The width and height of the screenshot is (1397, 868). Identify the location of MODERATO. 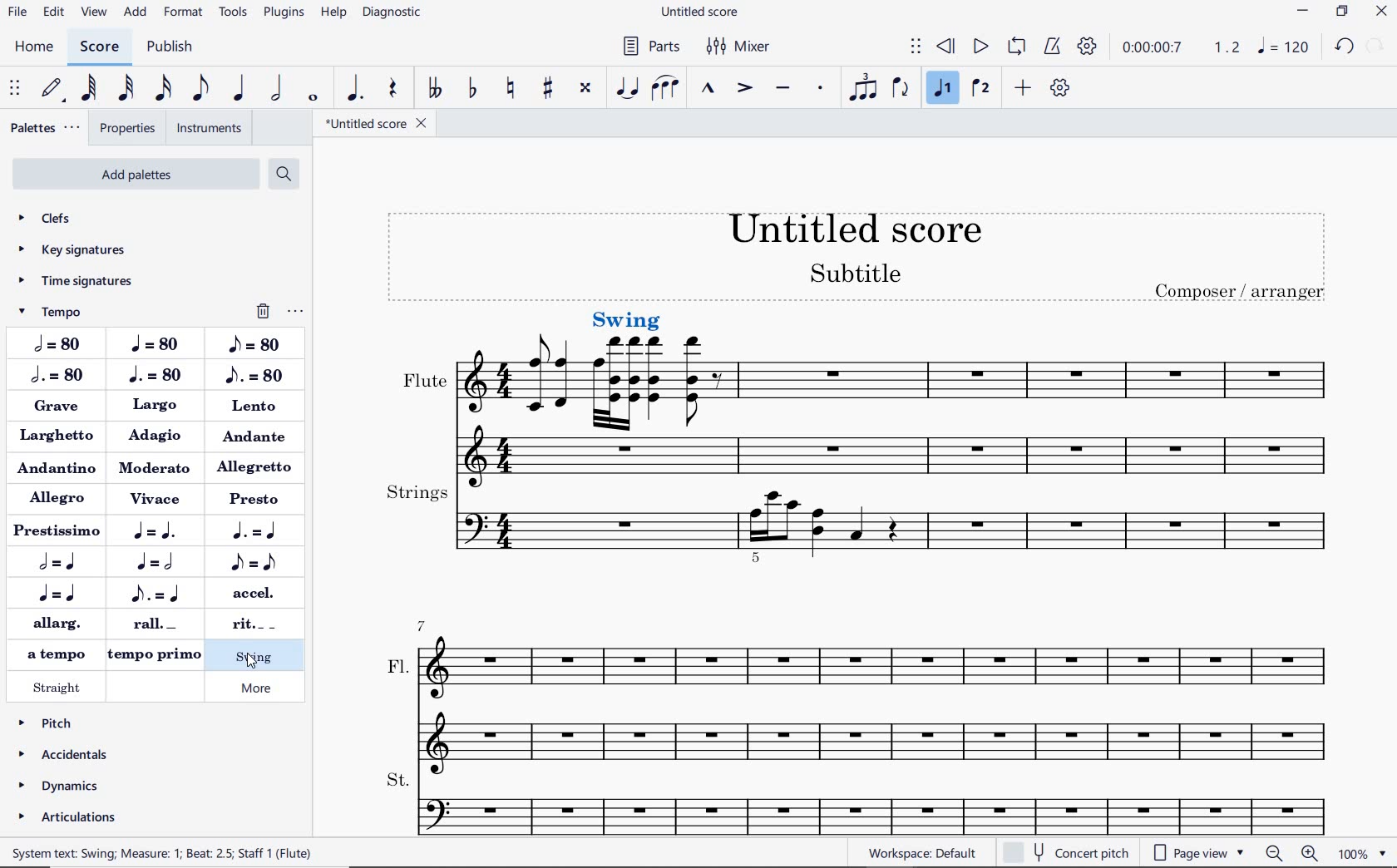
(154, 467).